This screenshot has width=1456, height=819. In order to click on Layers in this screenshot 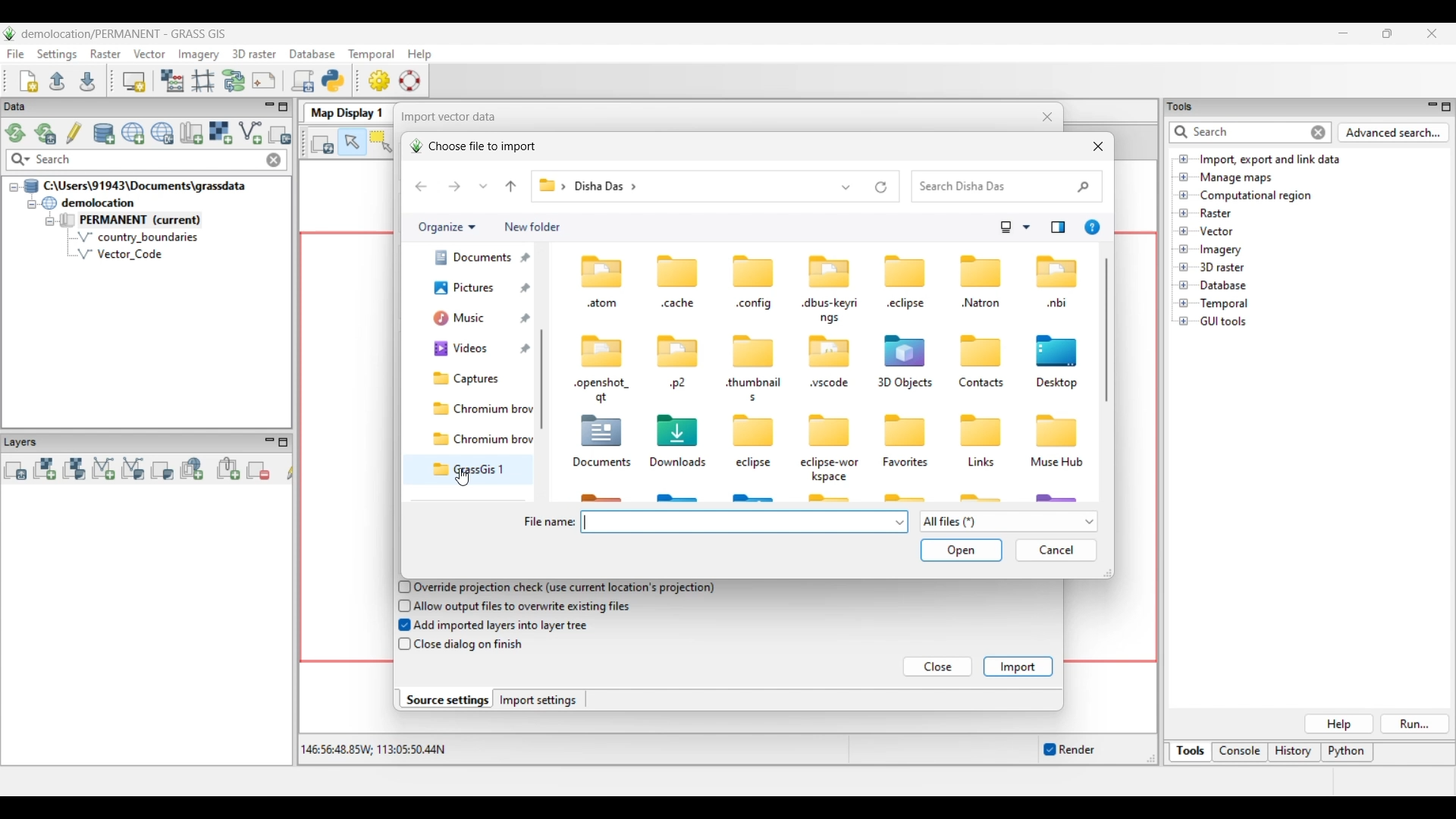, I will do `click(24, 441)`.